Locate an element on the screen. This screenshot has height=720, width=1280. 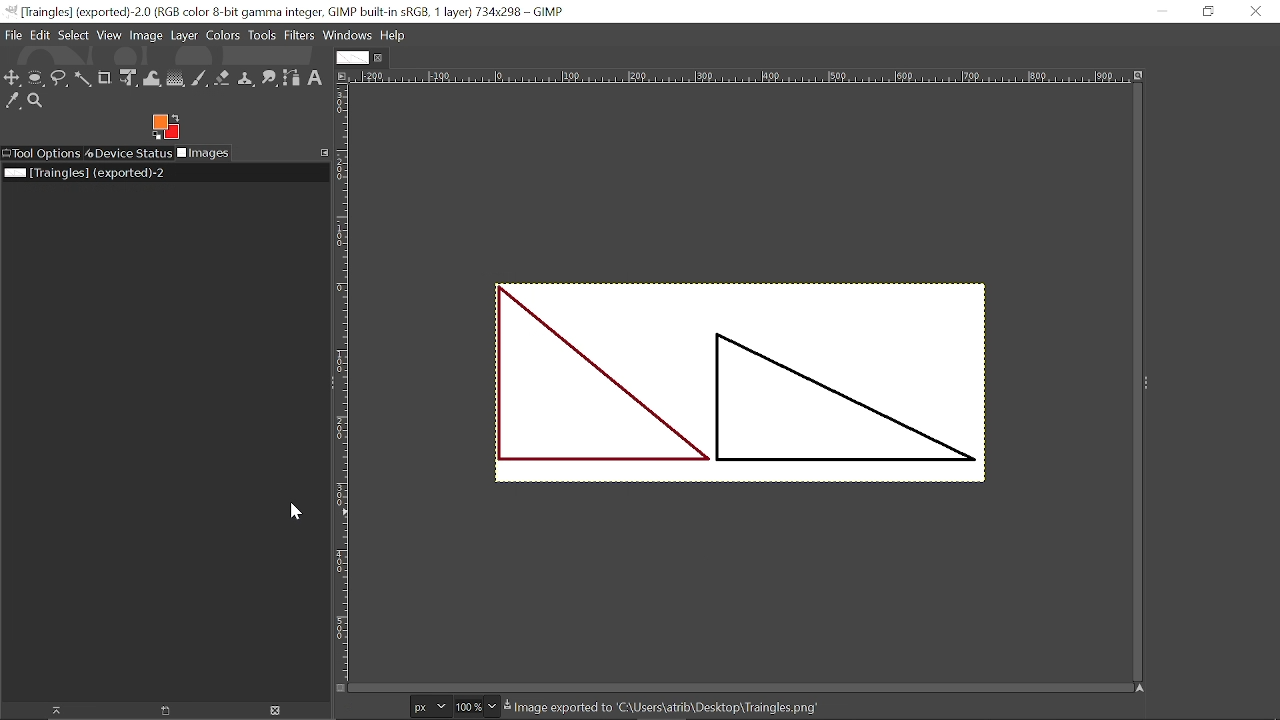
Image is located at coordinates (147, 37).